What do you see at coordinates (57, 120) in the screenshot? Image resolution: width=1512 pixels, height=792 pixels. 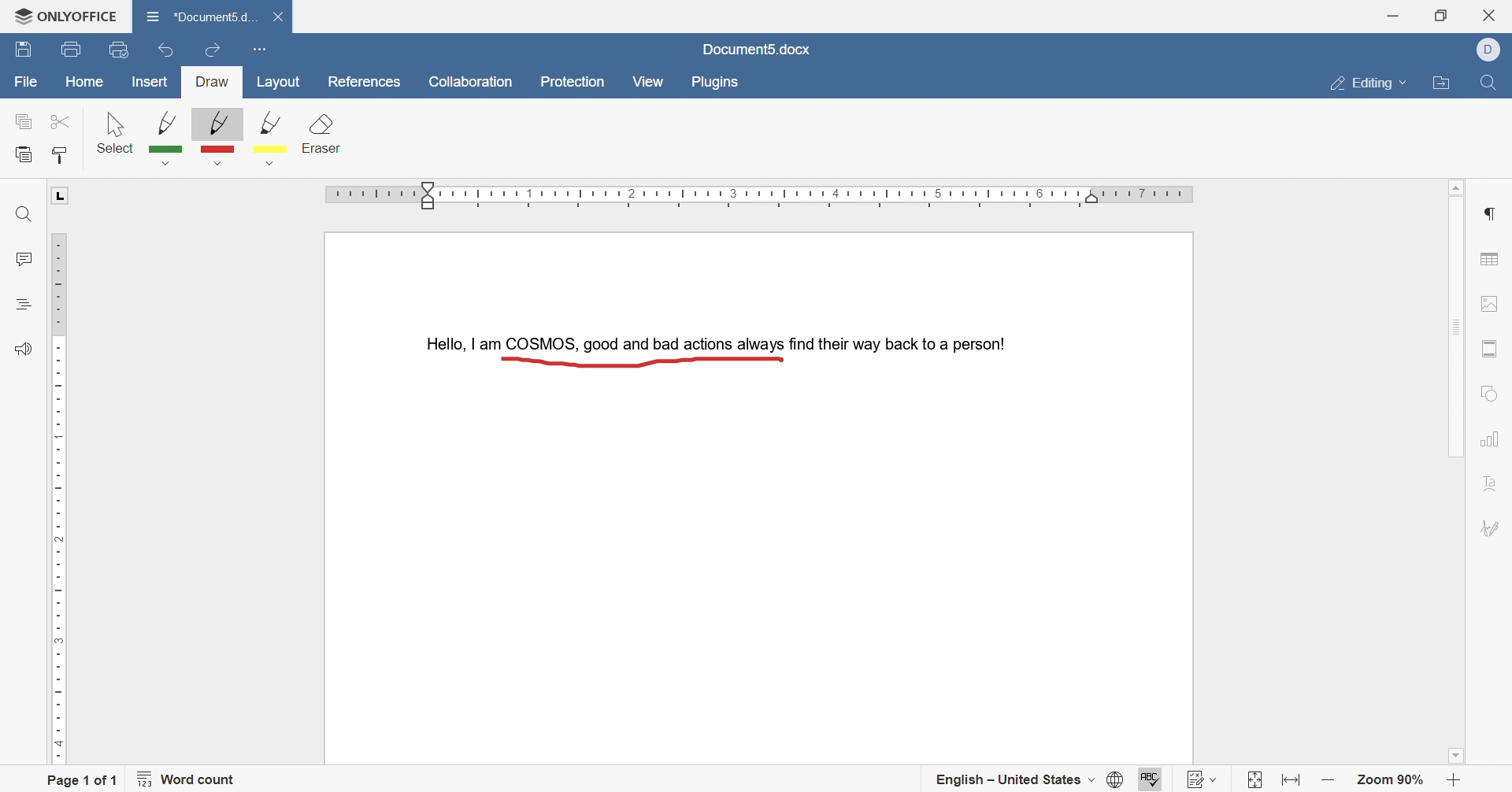 I see `cut` at bounding box center [57, 120].